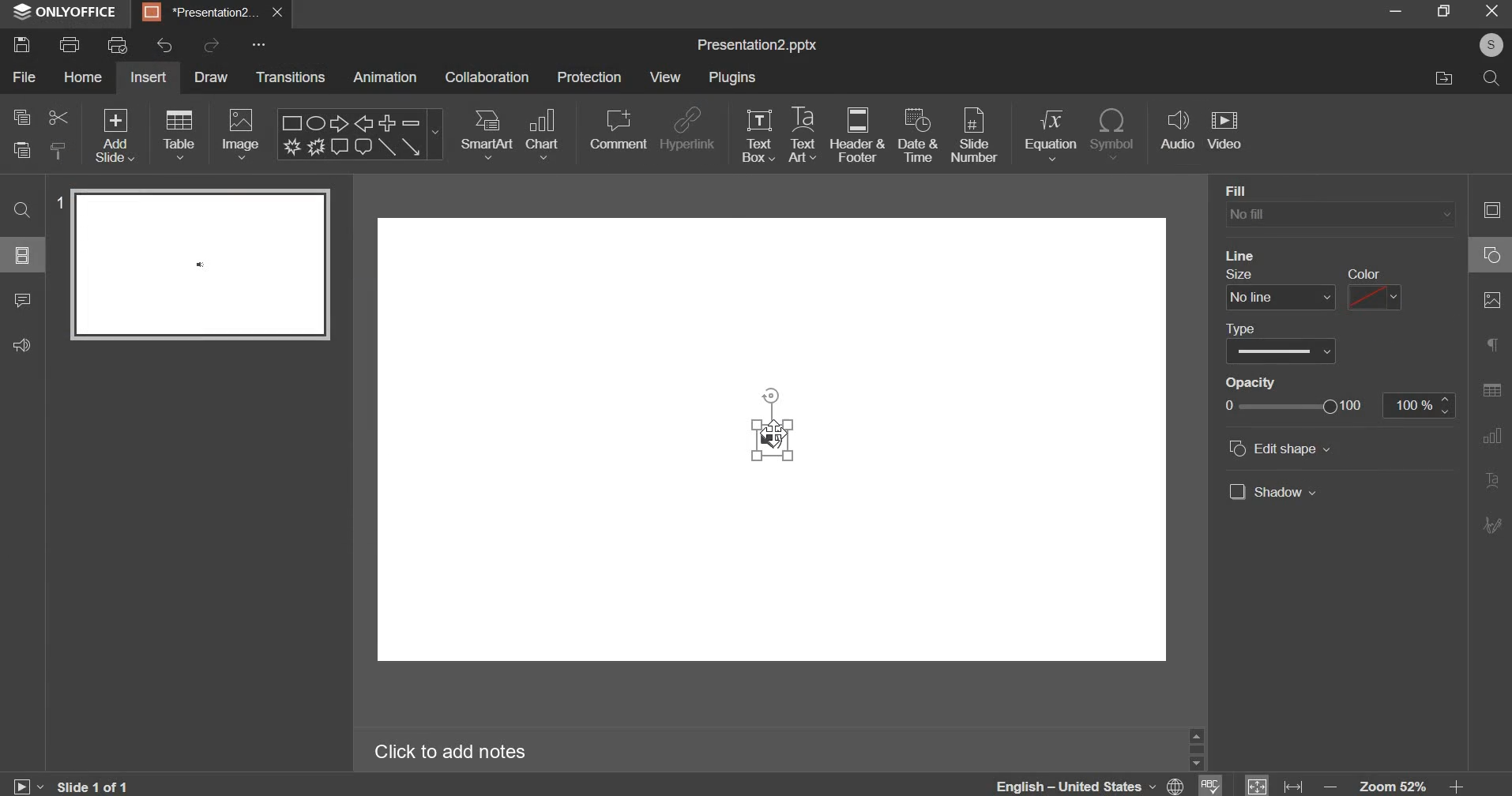 This screenshot has height=796, width=1512. I want to click on table, so click(179, 135).